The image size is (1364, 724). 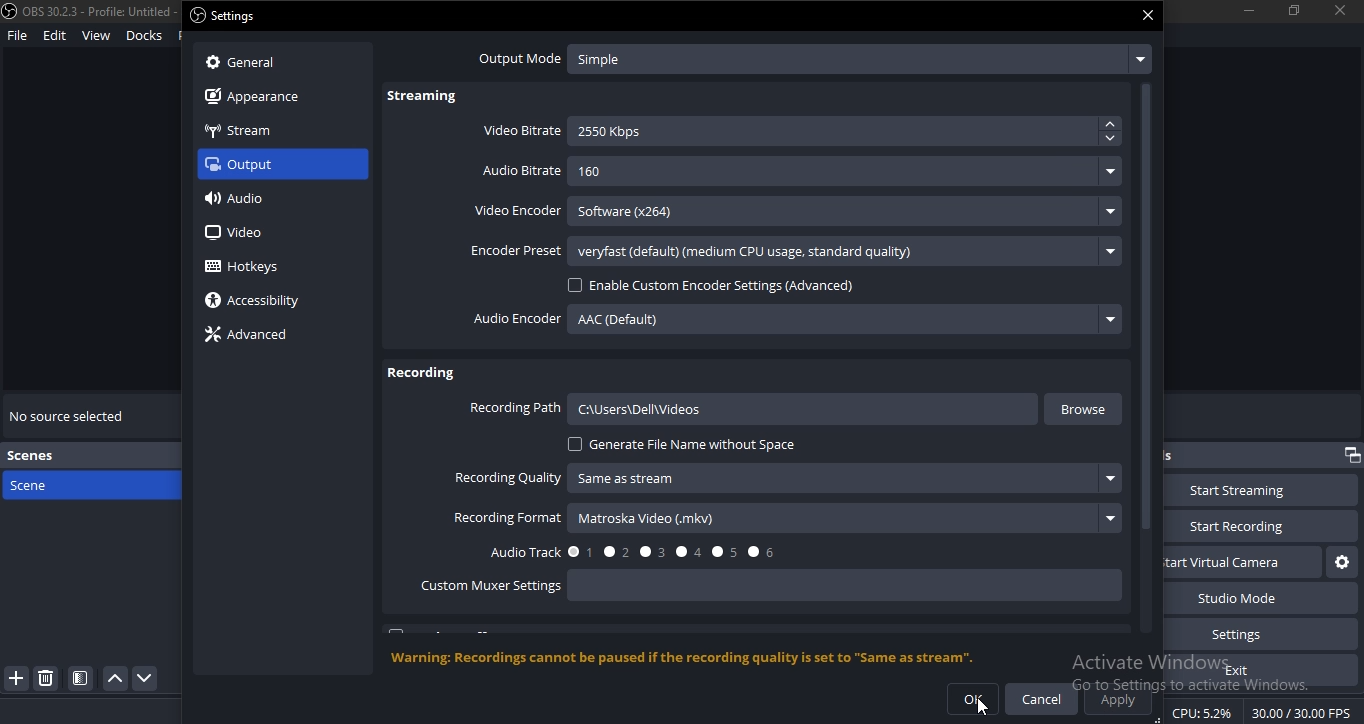 I want to click on stream, so click(x=240, y=134).